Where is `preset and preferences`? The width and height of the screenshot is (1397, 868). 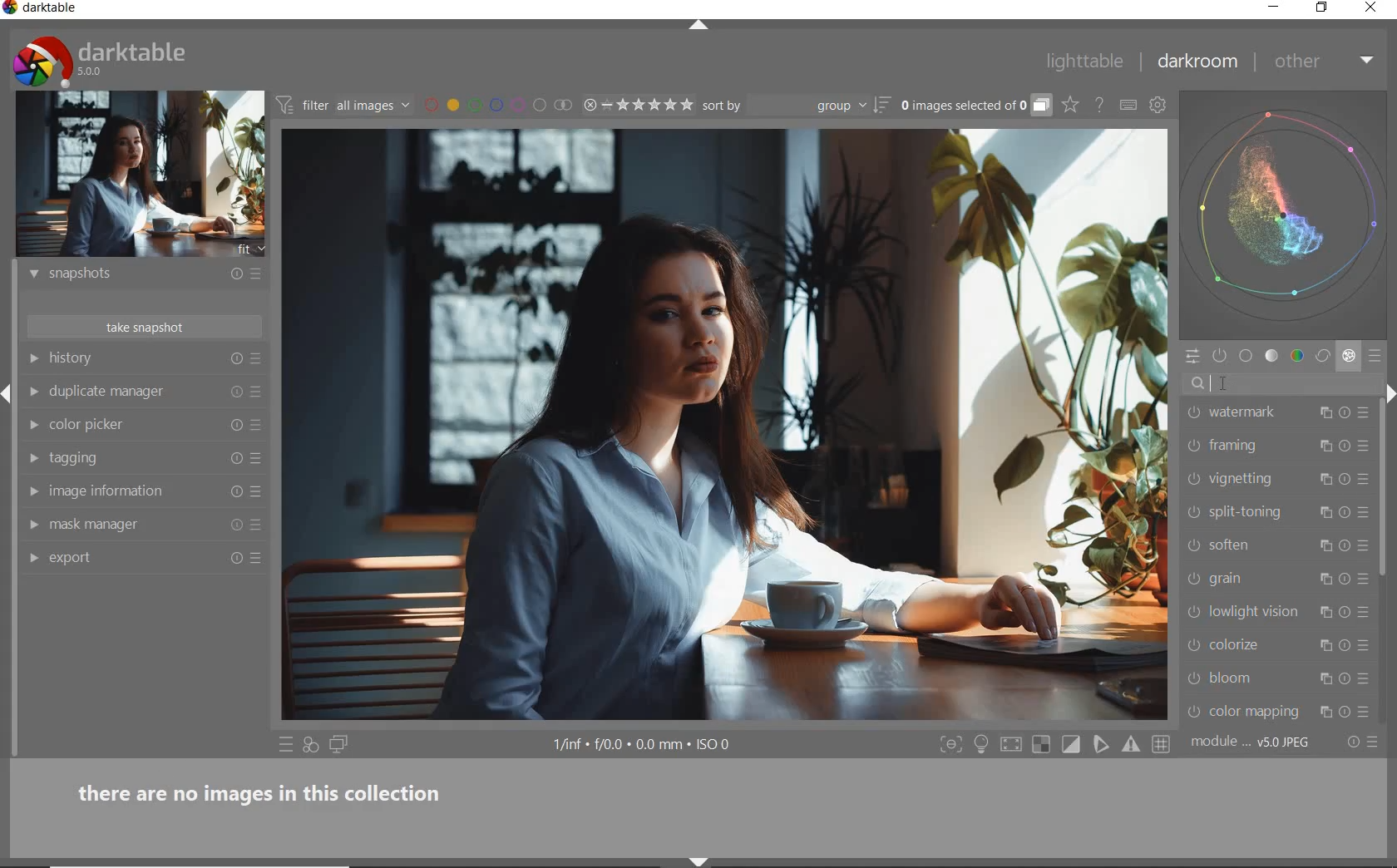
preset and preferences is located at coordinates (1366, 579).